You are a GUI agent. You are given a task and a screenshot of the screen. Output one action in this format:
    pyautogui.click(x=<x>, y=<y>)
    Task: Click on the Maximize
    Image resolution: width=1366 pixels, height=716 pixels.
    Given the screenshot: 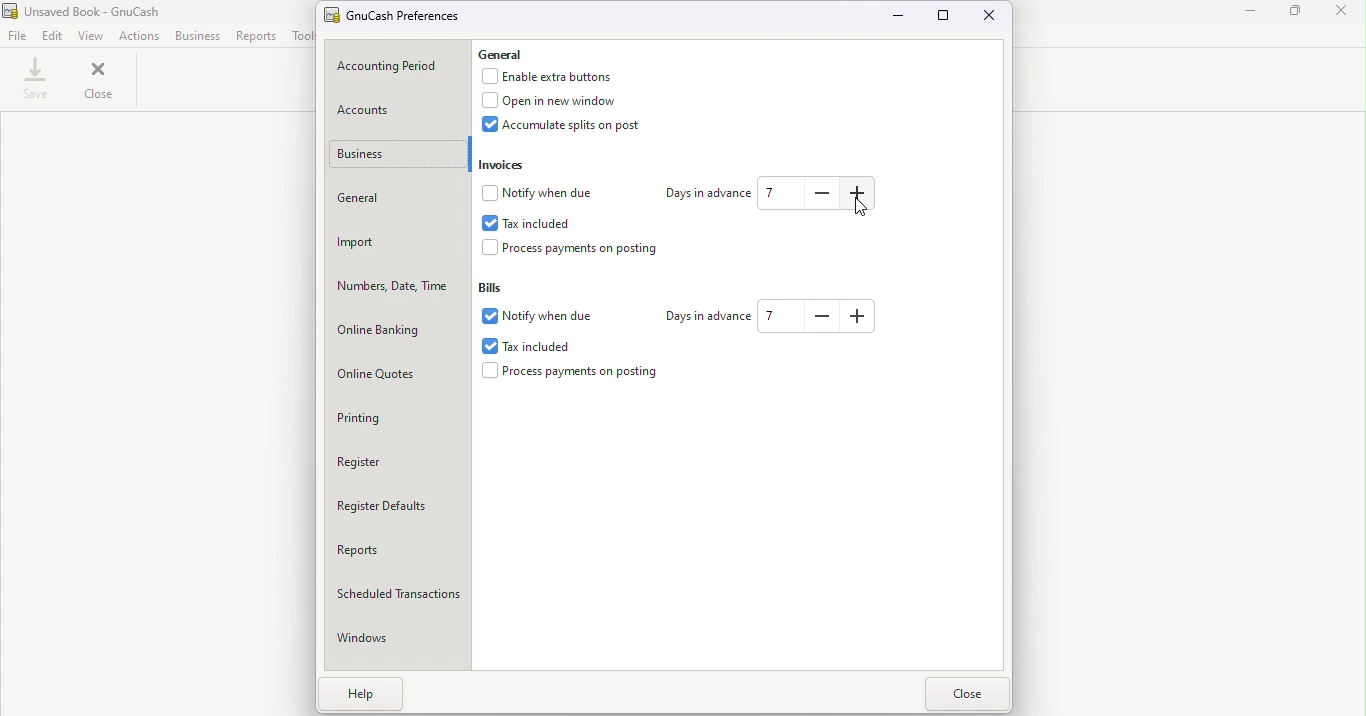 What is the action you would take?
    pyautogui.click(x=1296, y=14)
    